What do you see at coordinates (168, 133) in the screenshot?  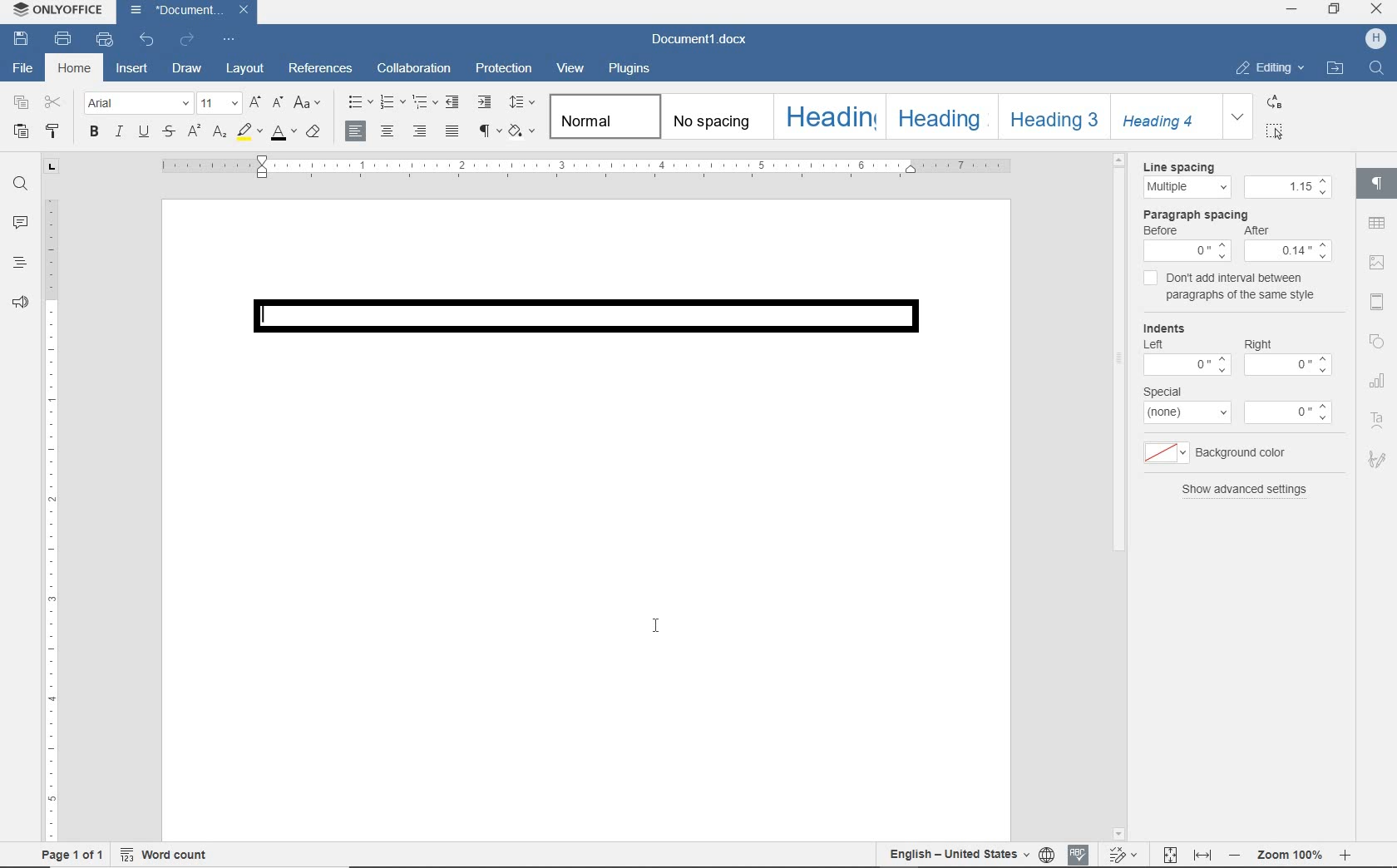 I see `strikethrough` at bounding box center [168, 133].